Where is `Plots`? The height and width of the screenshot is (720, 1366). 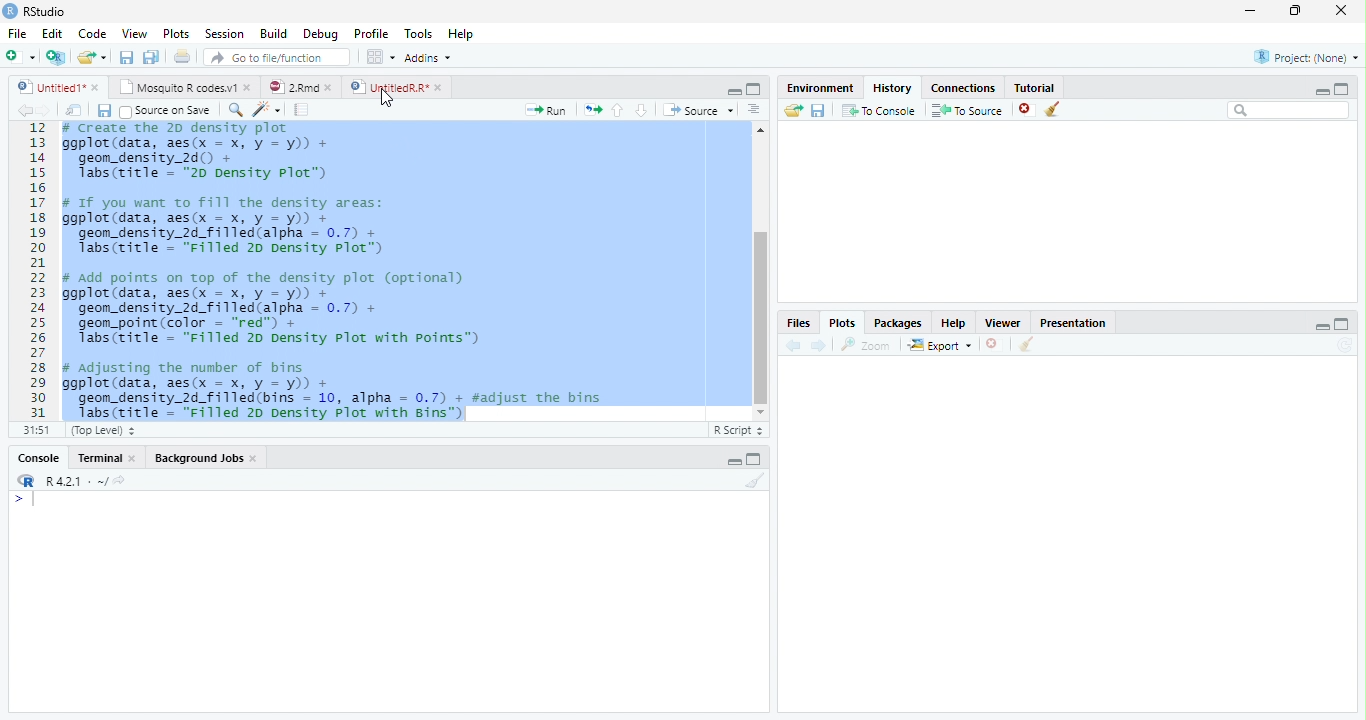 Plots is located at coordinates (175, 33).